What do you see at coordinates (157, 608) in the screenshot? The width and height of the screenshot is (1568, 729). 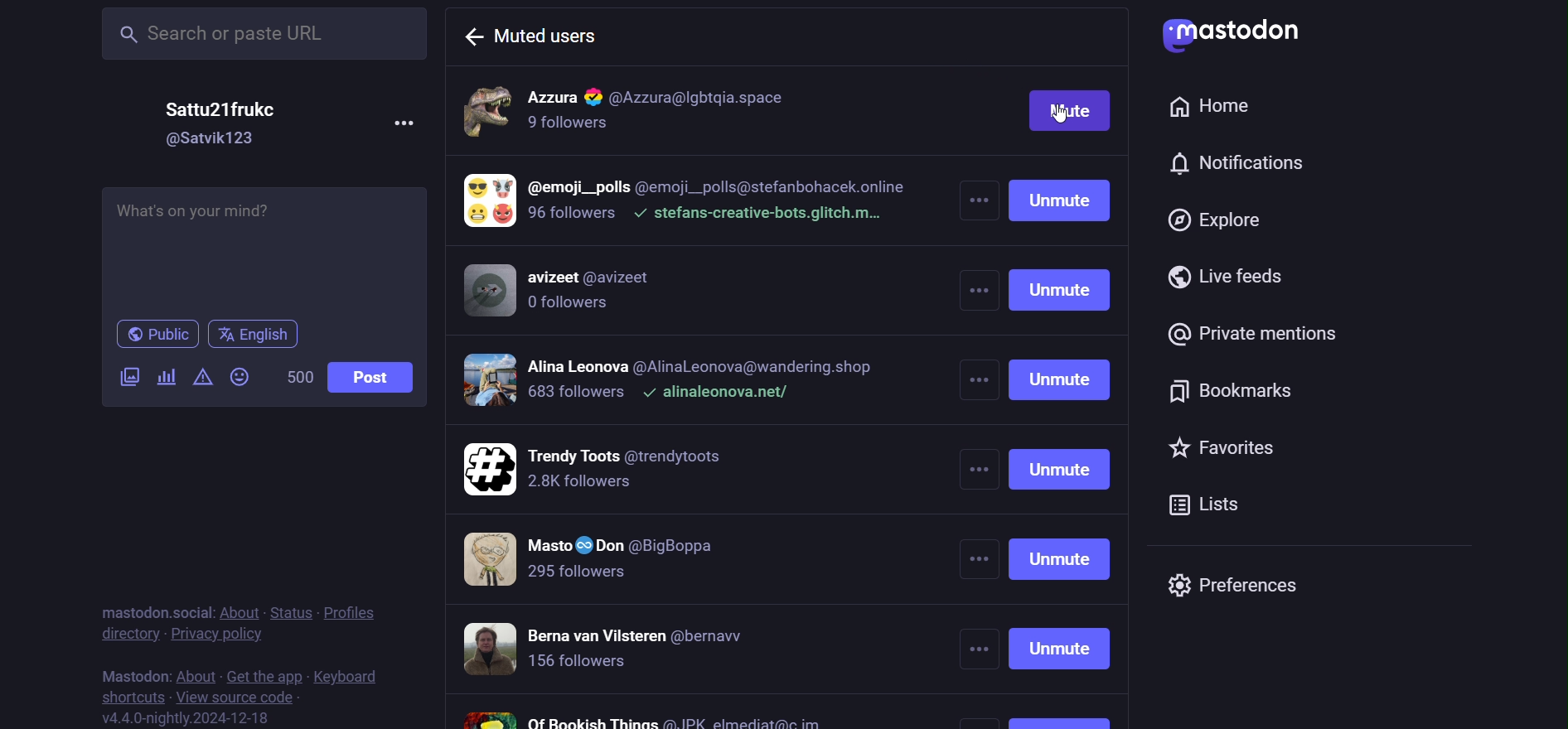 I see `mastodon social` at bounding box center [157, 608].